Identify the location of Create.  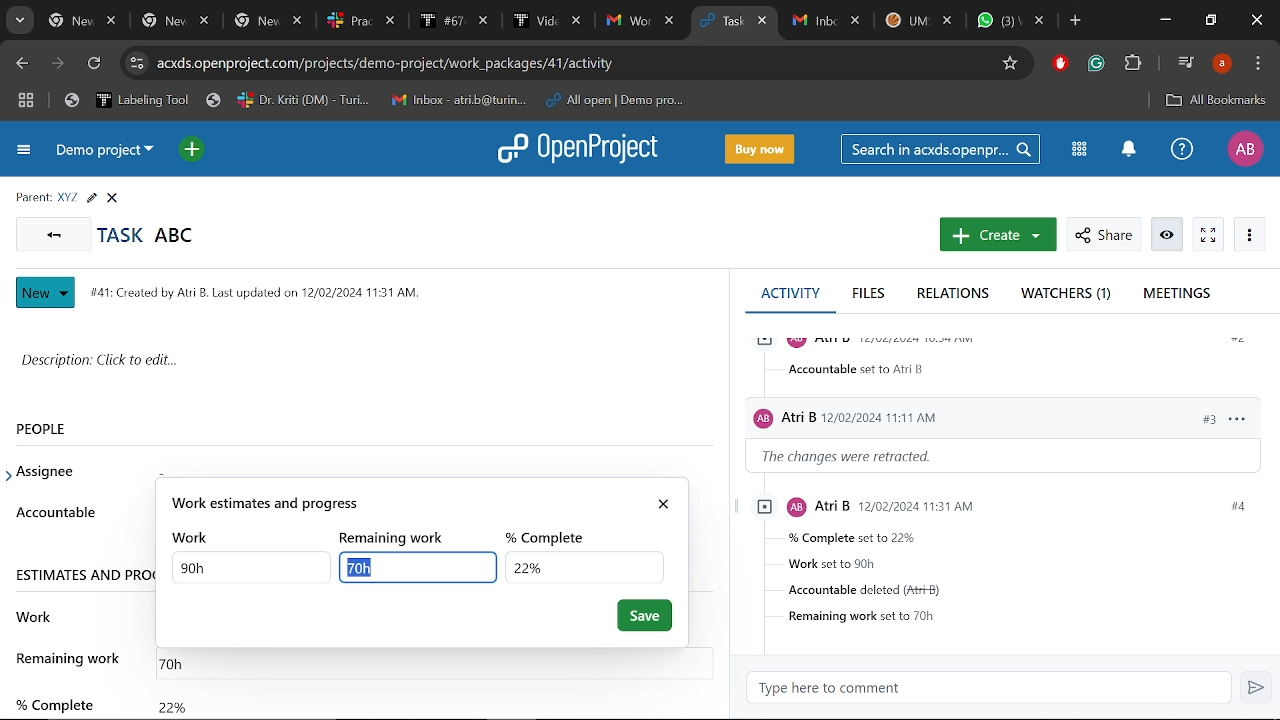
(995, 236).